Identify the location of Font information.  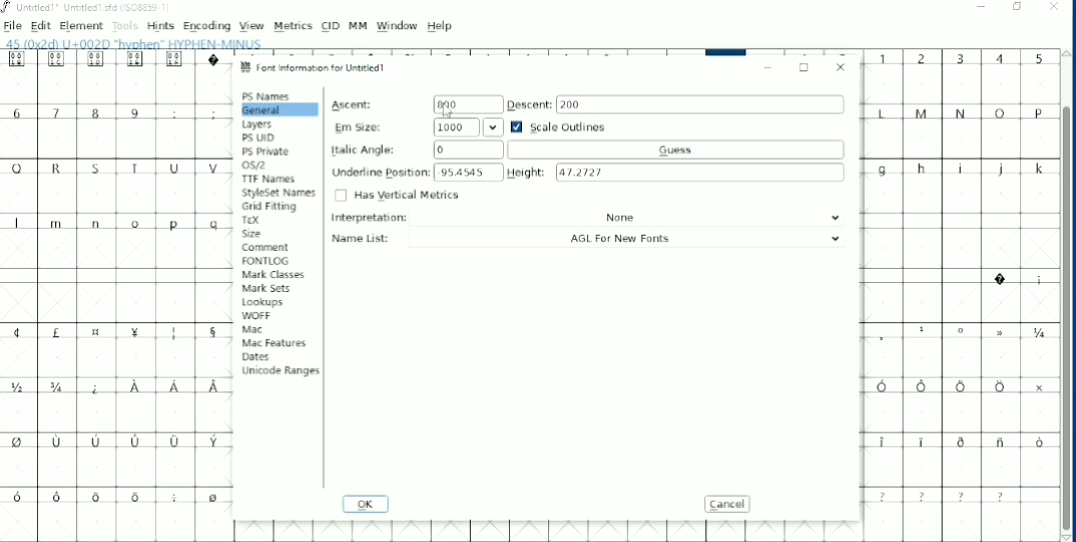
(317, 67).